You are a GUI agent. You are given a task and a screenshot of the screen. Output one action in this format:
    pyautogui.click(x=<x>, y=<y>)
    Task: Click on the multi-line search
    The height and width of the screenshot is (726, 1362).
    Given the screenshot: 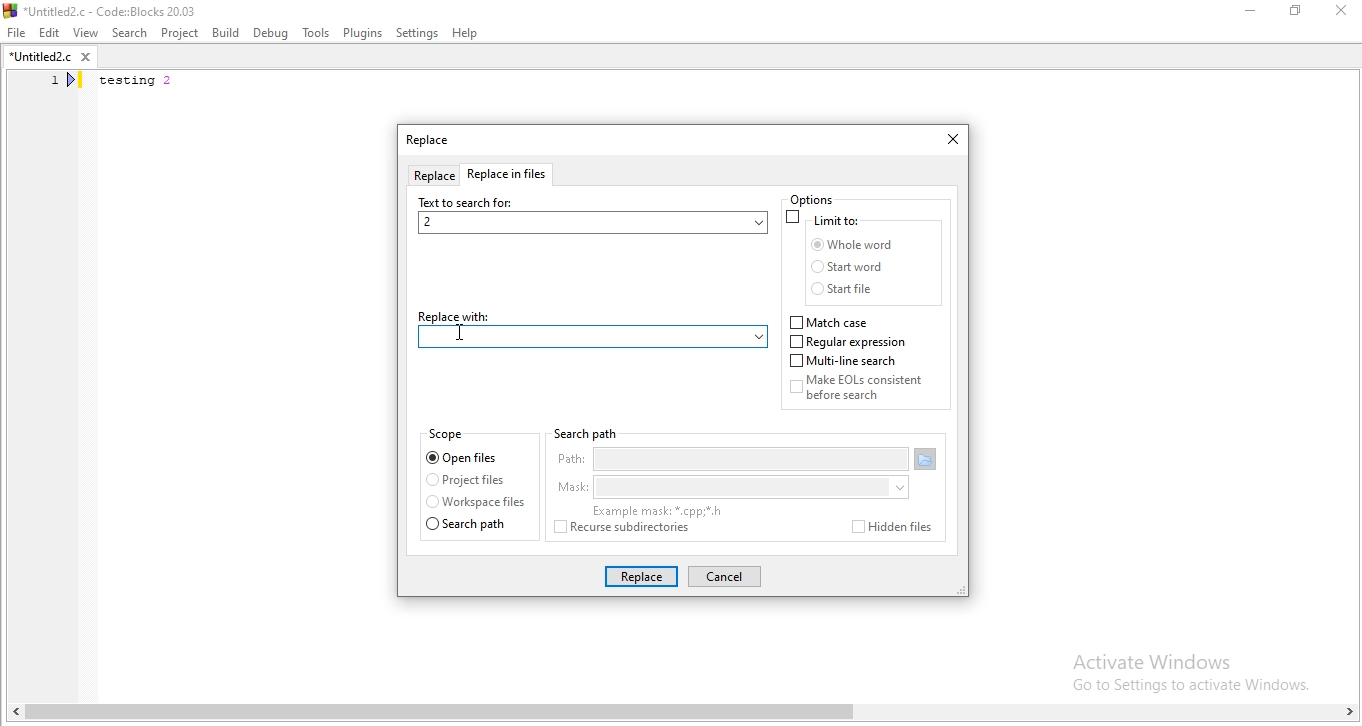 What is the action you would take?
    pyautogui.click(x=847, y=362)
    